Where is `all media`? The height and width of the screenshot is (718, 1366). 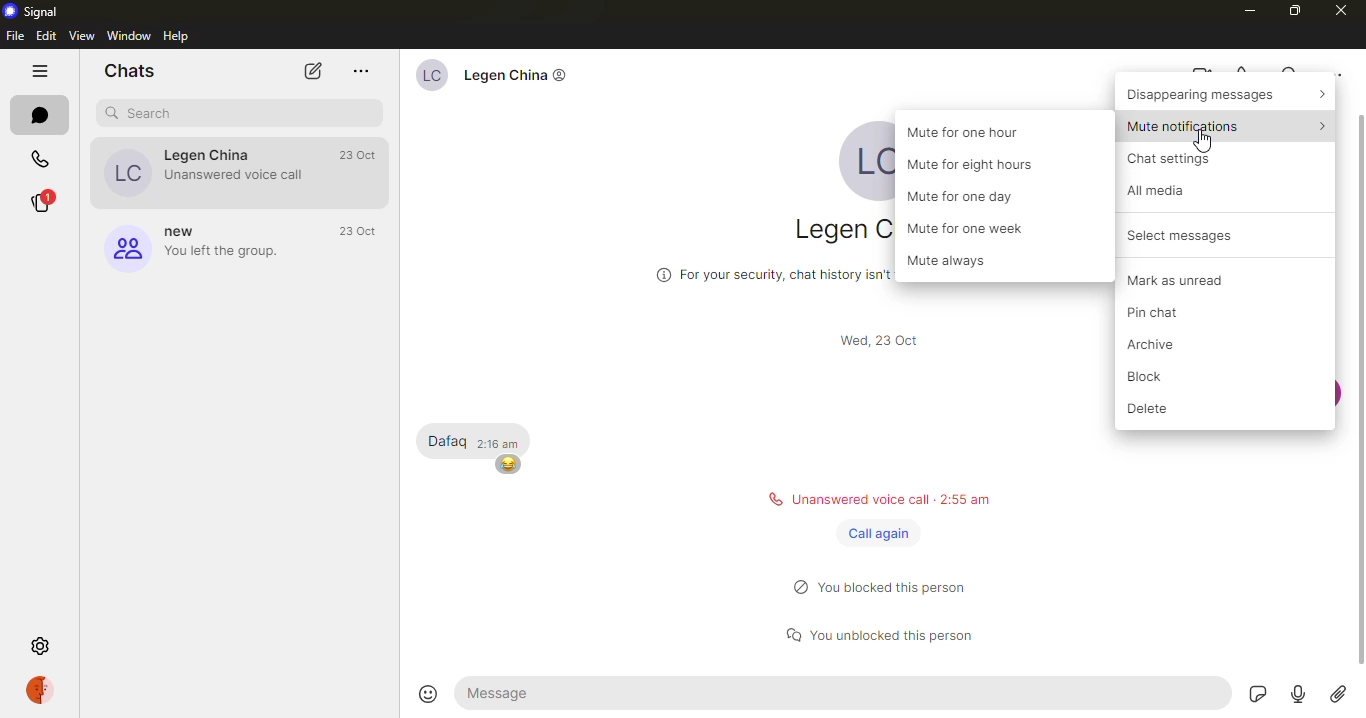 all media is located at coordinates (1166, 192).